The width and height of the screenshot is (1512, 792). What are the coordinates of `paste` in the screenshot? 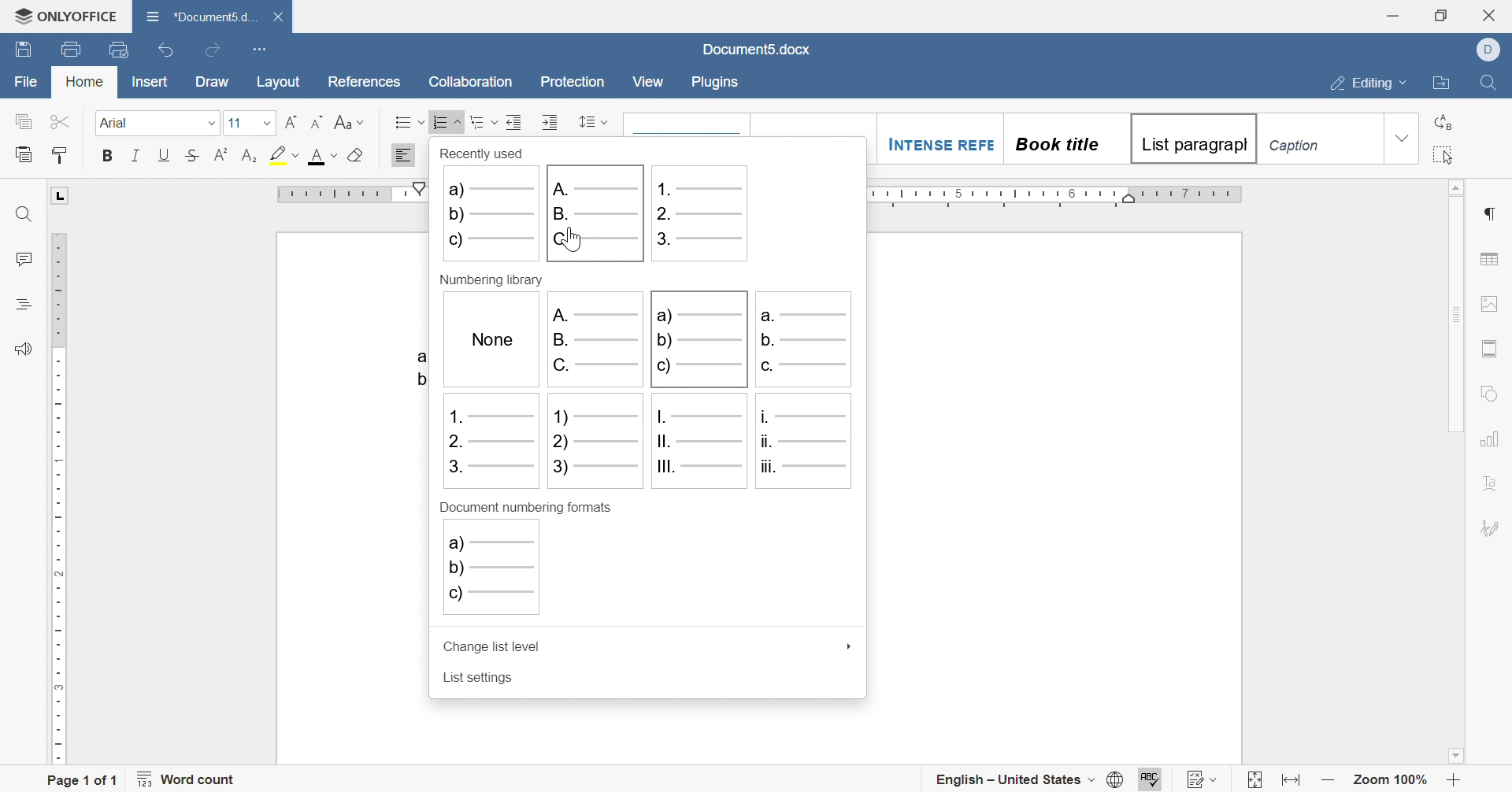 It's located at (23, 153).